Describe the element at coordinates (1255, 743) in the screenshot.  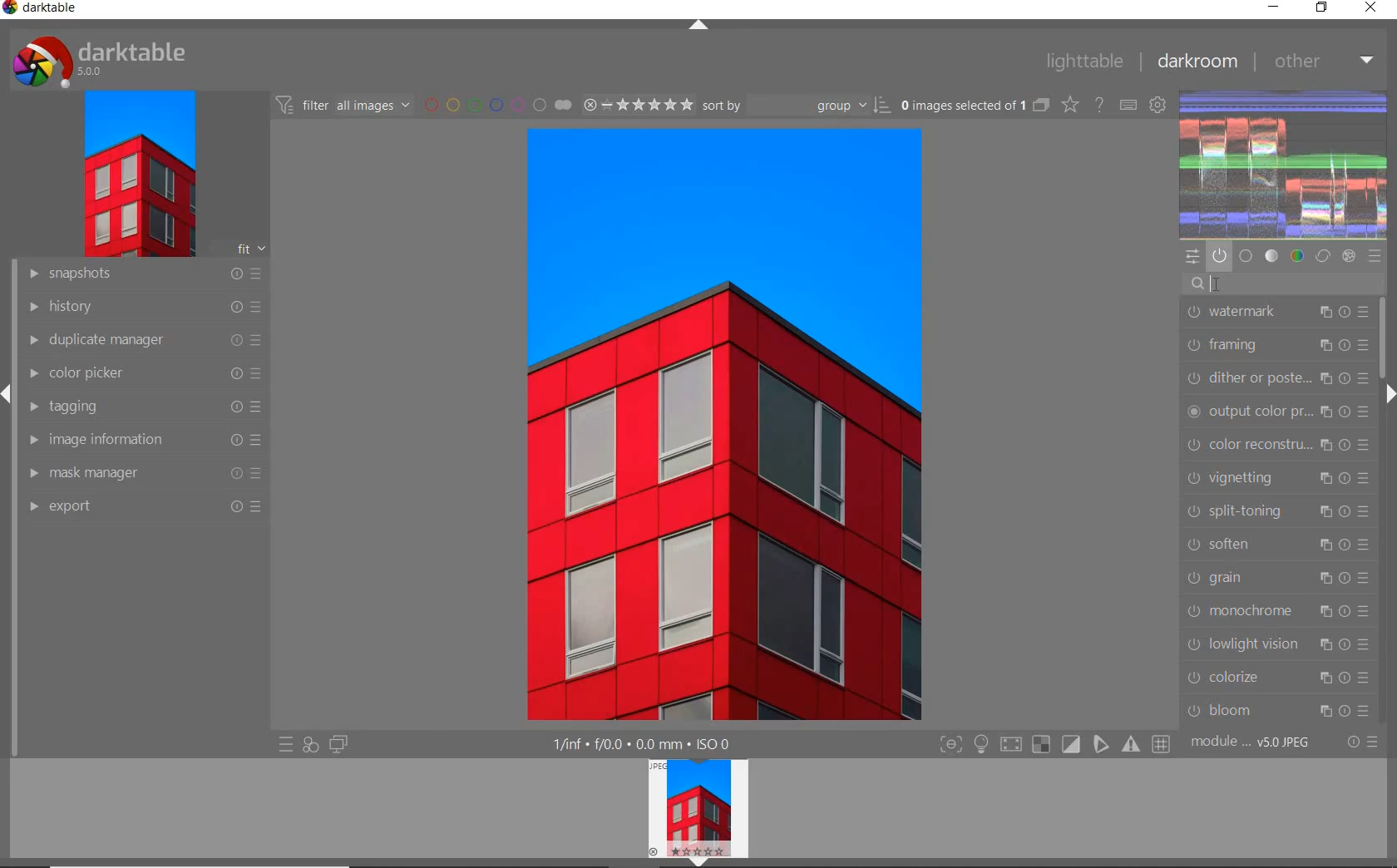
I see `module order` at that location.